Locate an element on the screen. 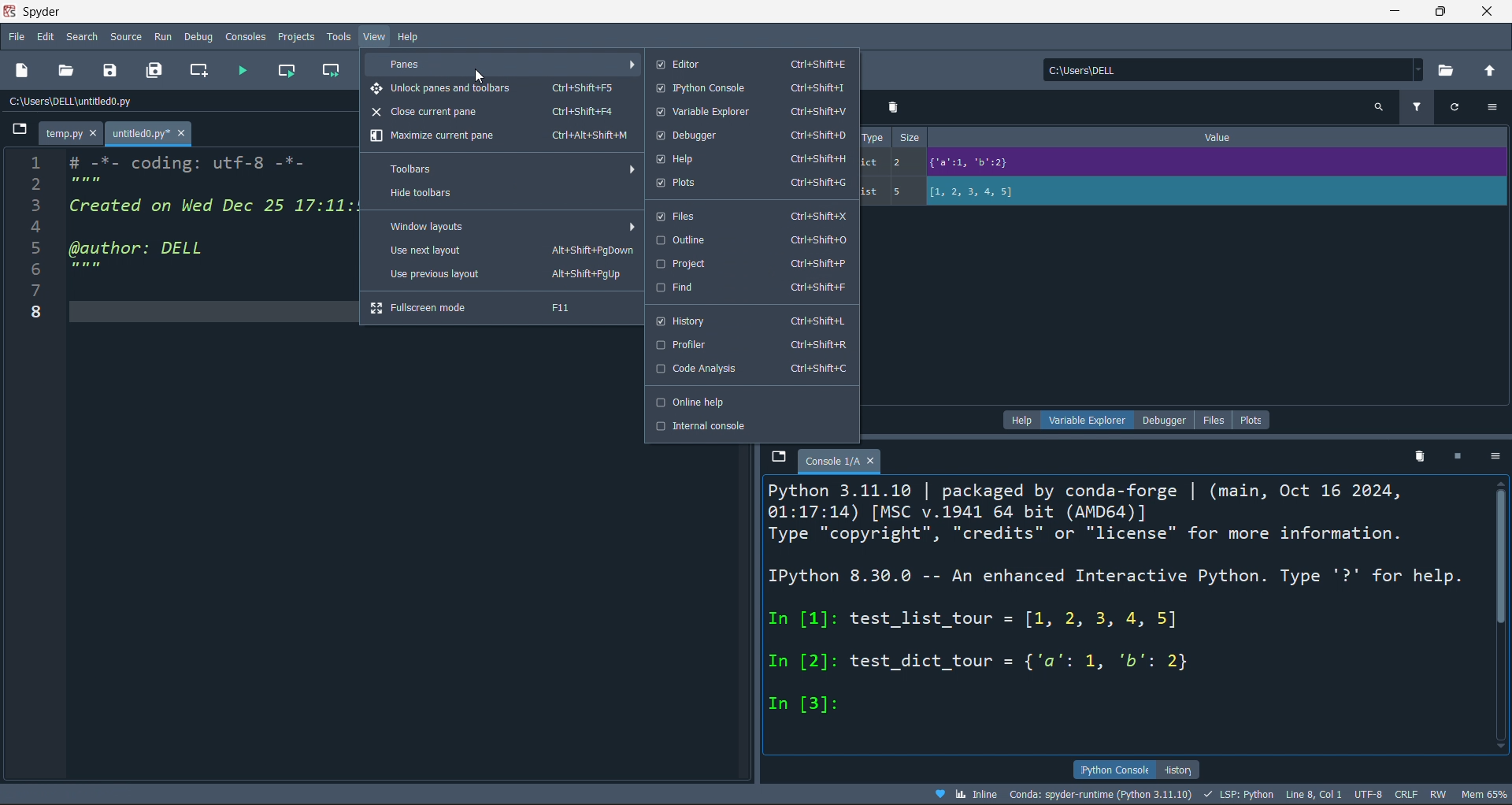  save is located at coordinates (110, 72).